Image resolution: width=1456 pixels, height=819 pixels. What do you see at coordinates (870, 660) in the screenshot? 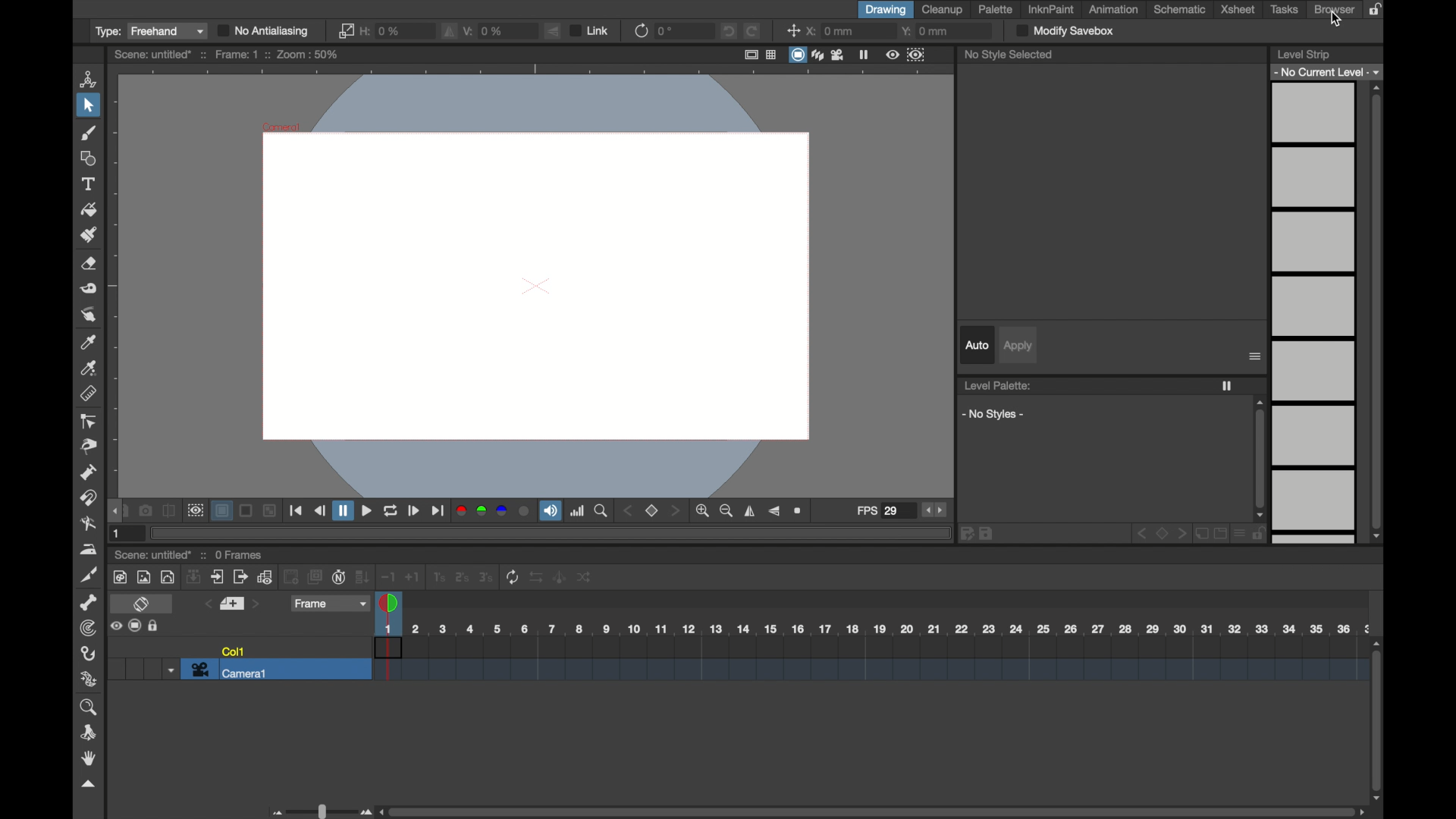
I see `scene` at bounding box center [870, 660].